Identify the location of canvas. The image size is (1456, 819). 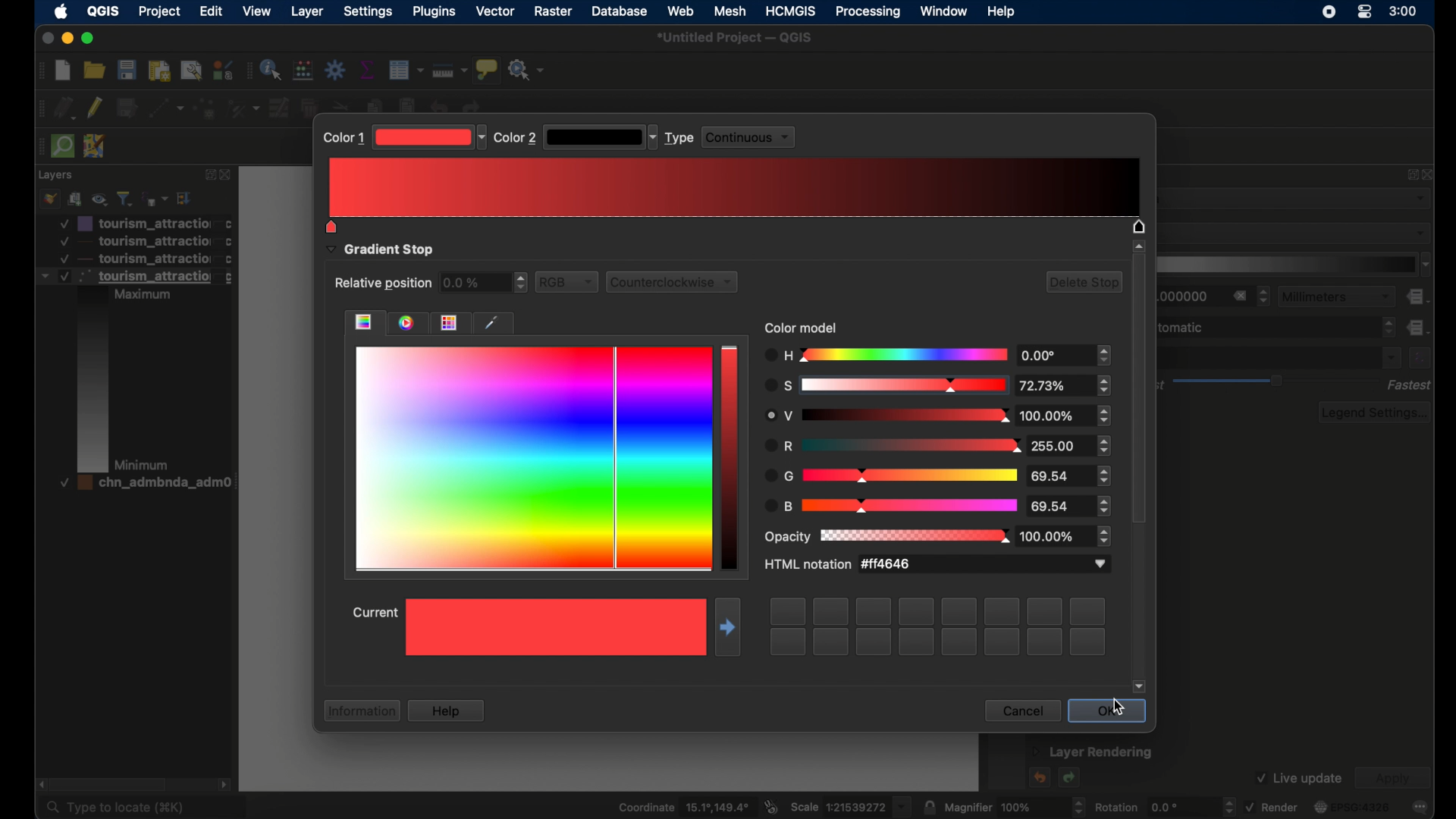
(610, 764).